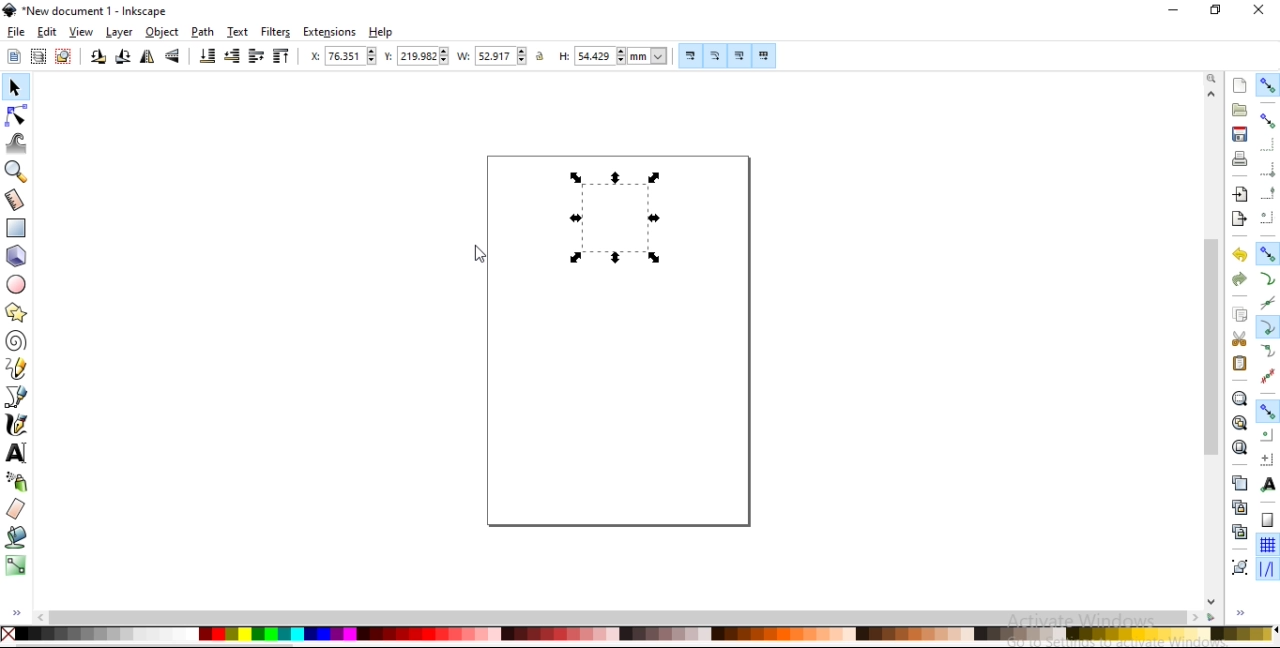 The width and height of the screenshot is (1280, 648). Describe the element at coordinates (1240, 447) in the screenshot. I see `zoom to fit page` at that location.